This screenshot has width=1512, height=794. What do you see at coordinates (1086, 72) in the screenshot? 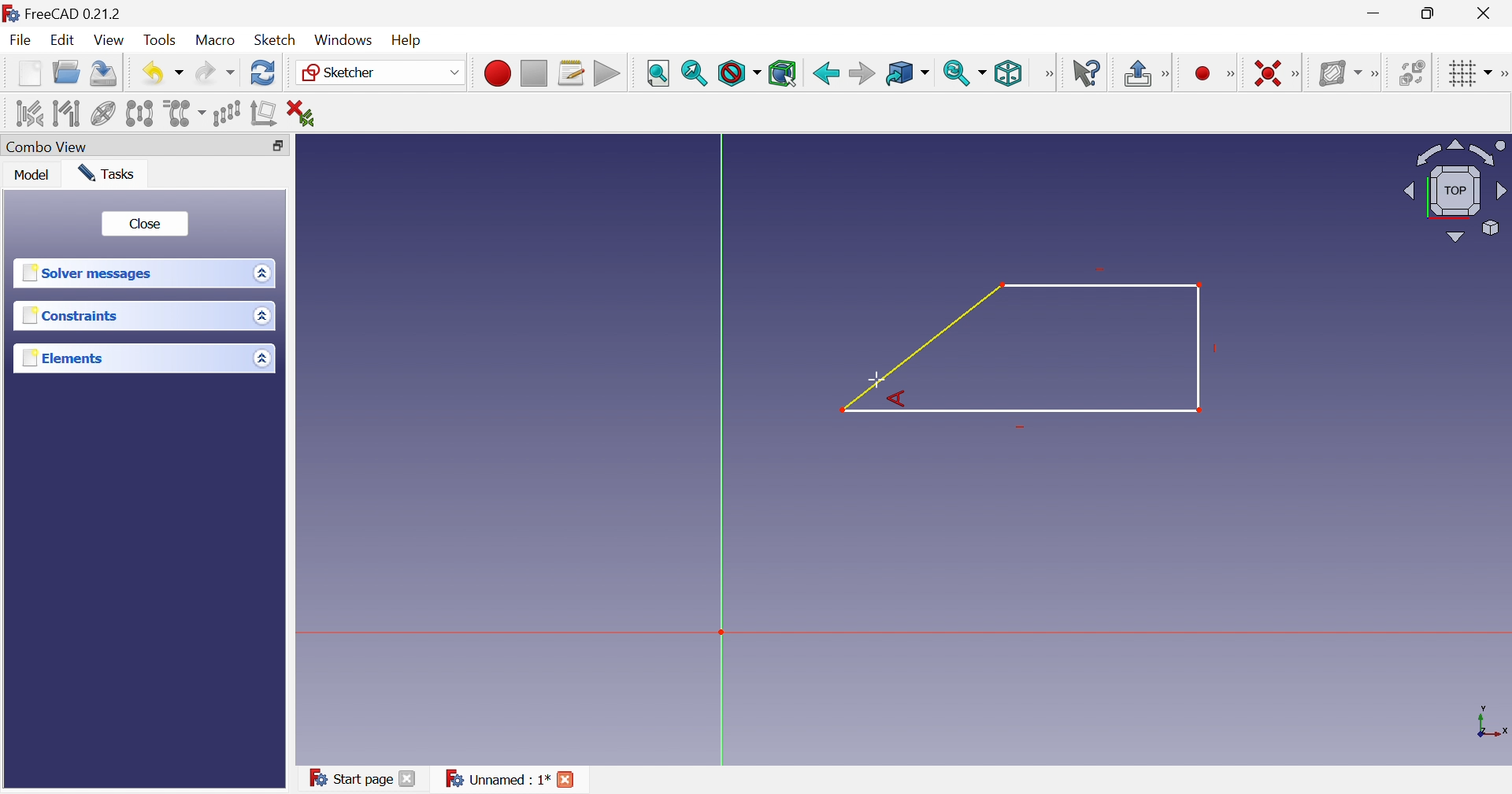
I see `What's this?` at bounding box center [1086, 72].